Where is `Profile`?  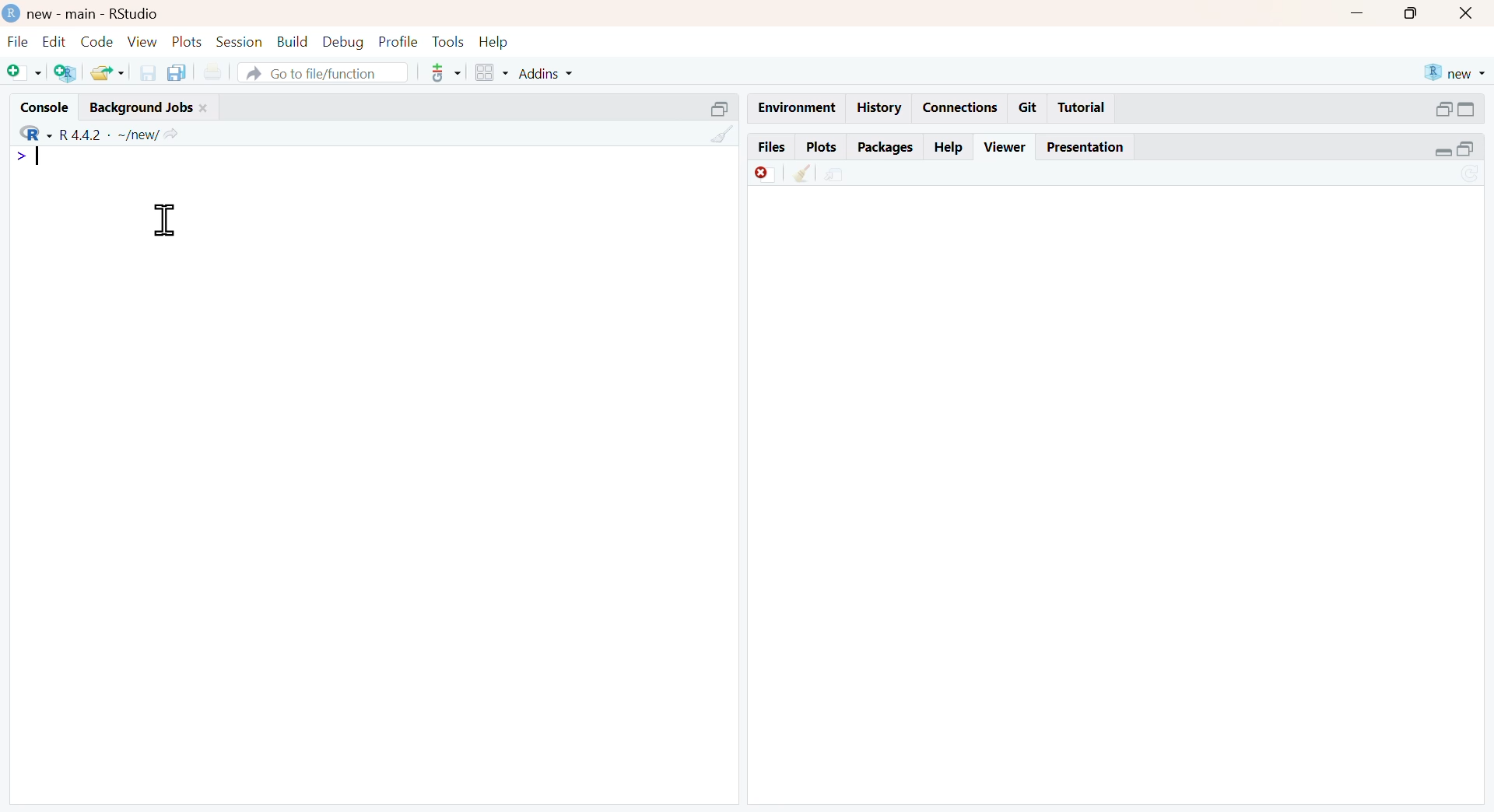 Profile is located at coordinates (398, 42).